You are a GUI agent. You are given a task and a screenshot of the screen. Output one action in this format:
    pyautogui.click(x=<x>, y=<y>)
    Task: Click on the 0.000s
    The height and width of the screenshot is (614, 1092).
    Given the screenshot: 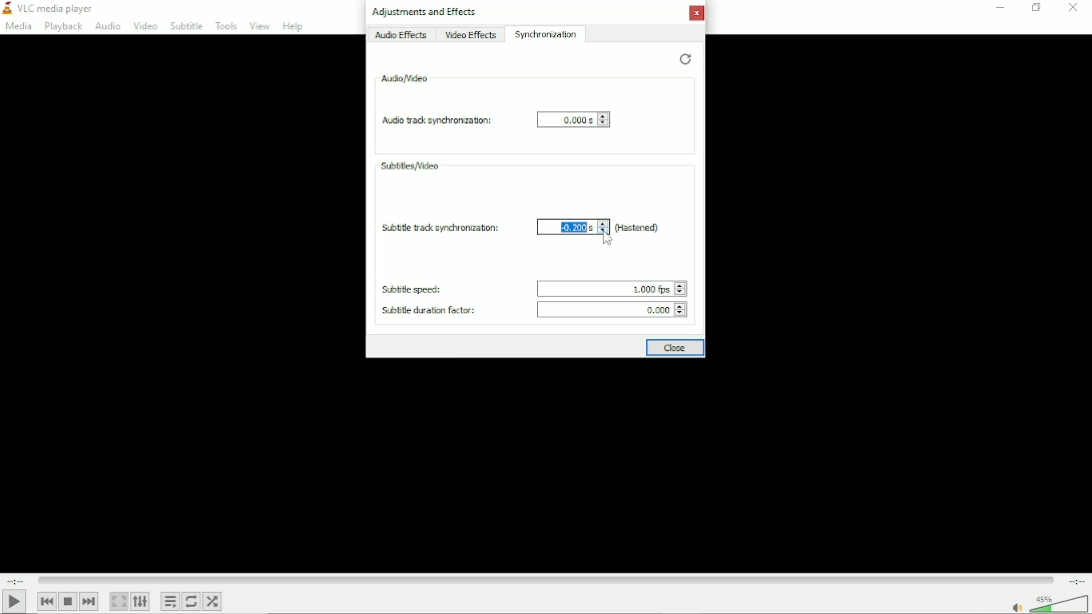 What is the action you would take?
    pyautogui.click(x=573, y=118)
    